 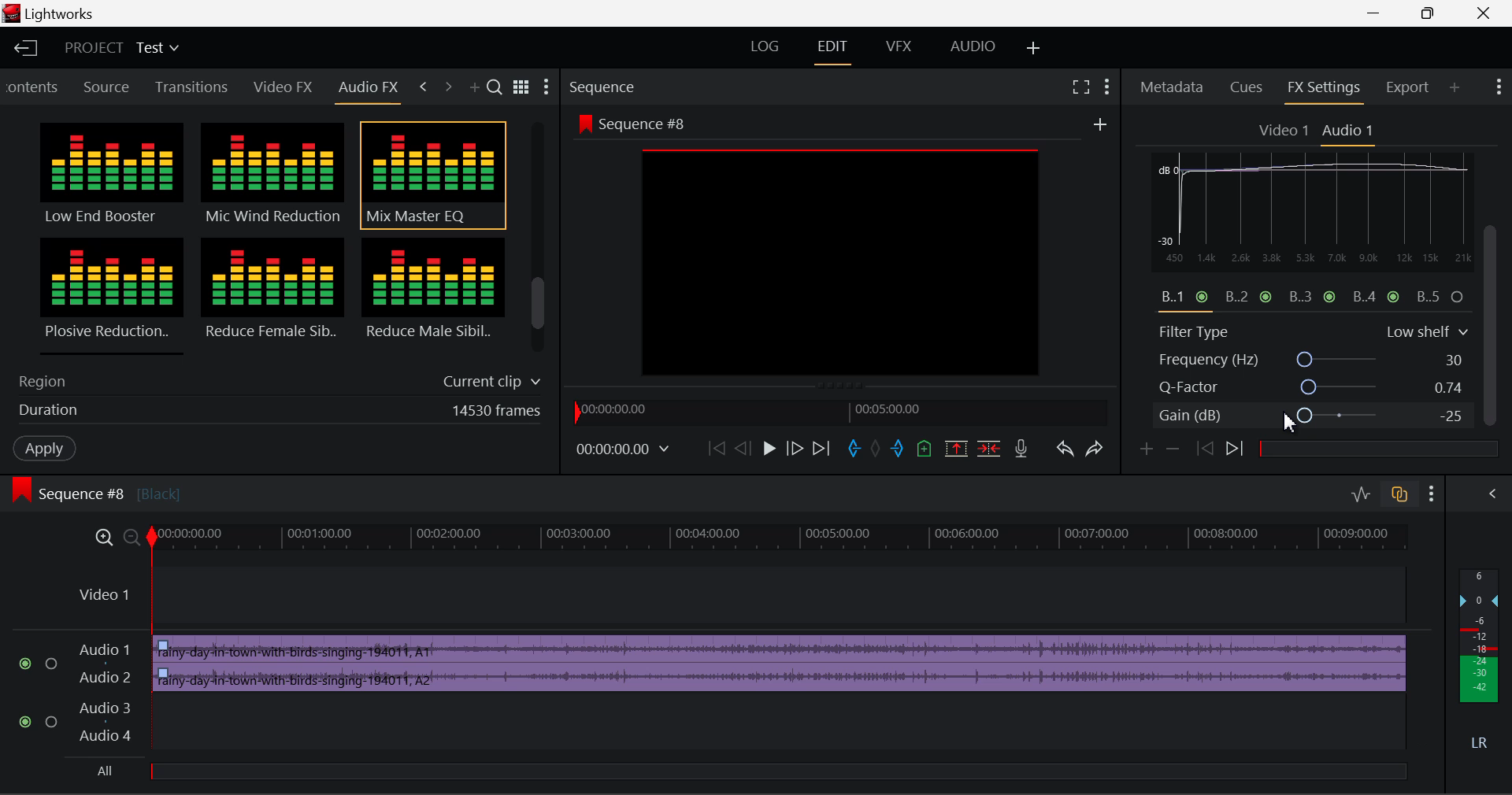 What do you see at coordinates (649, 86) in the screenshot?
I see `Sequence Section` at bounding box center [649, 86].